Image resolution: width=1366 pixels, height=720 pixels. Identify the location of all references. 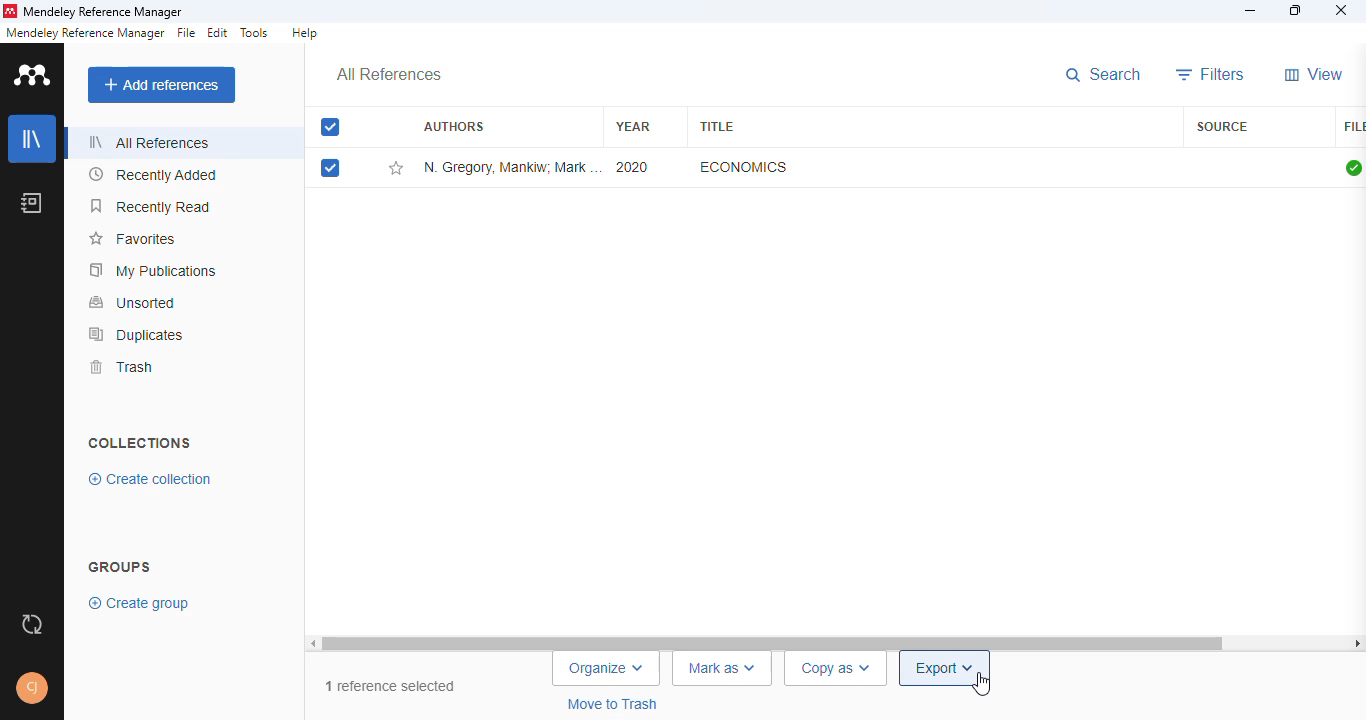
(151, 141).